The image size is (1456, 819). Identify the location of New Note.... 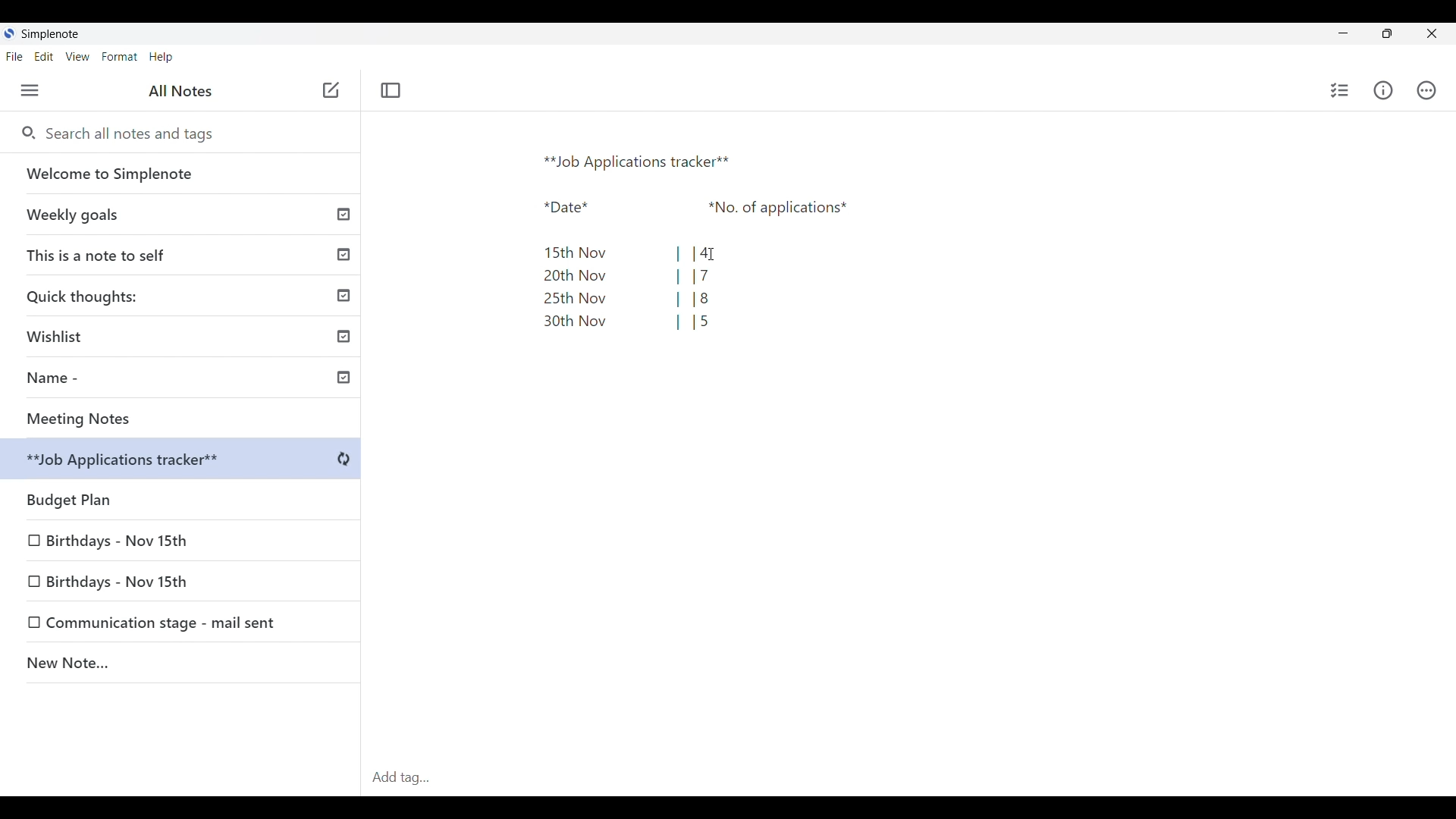
(181, 665).